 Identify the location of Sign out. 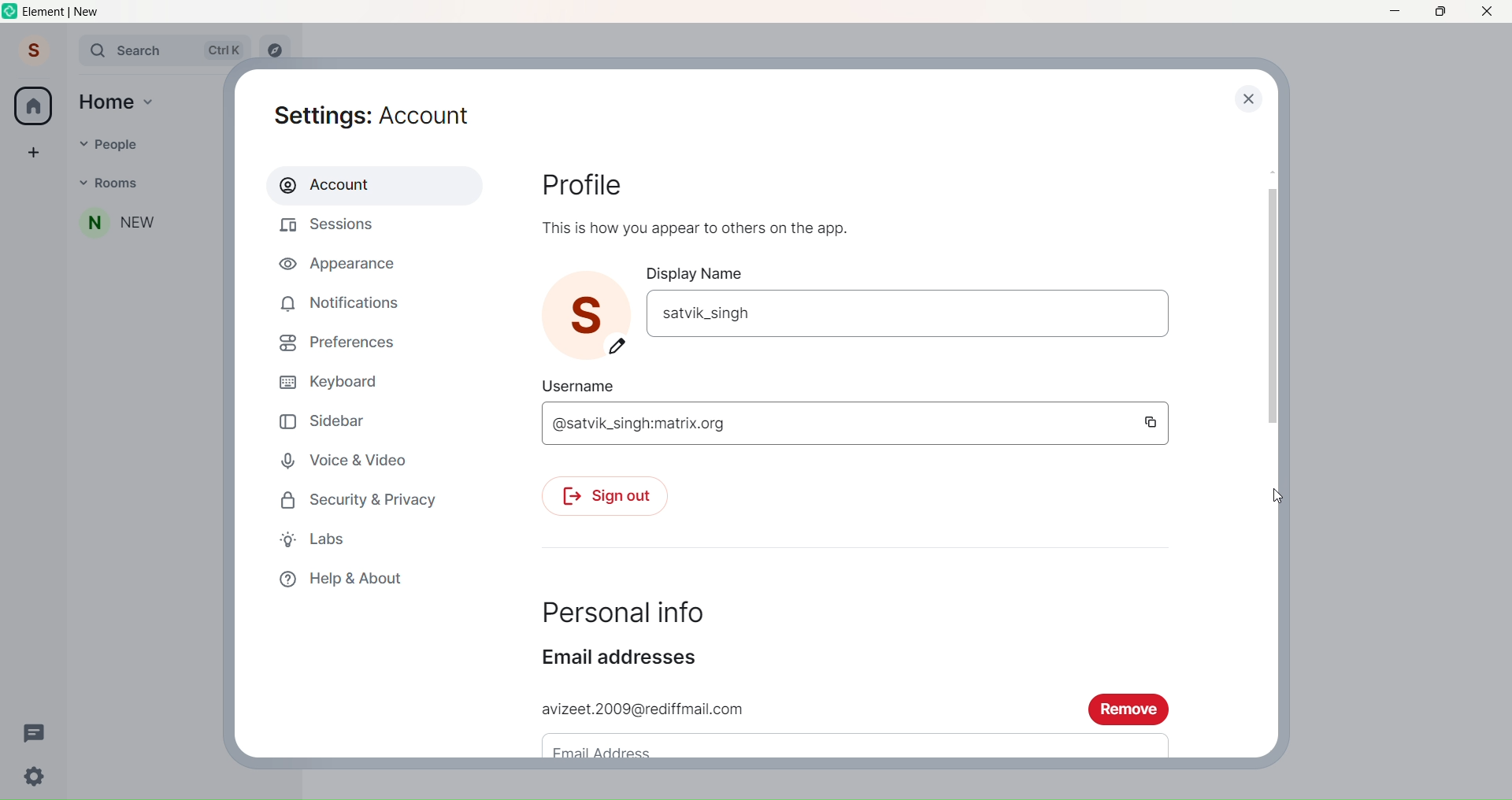
(610, 494).